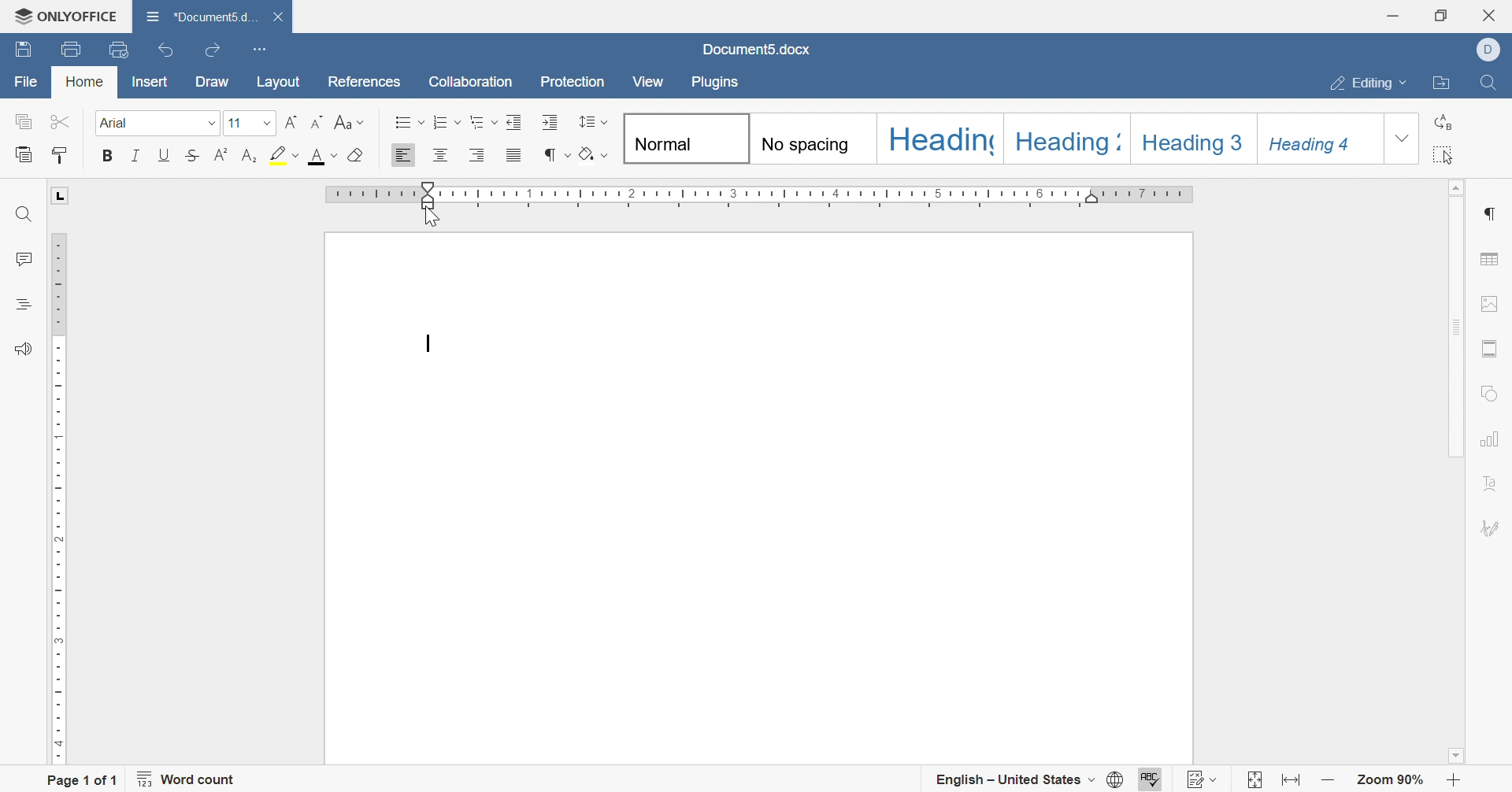 The width and height of the screenshot is (1512, 792). What do you see at coordinates (759, 50) in the screenshot?
I see `document5.docx` at bounding box center [759, 50].